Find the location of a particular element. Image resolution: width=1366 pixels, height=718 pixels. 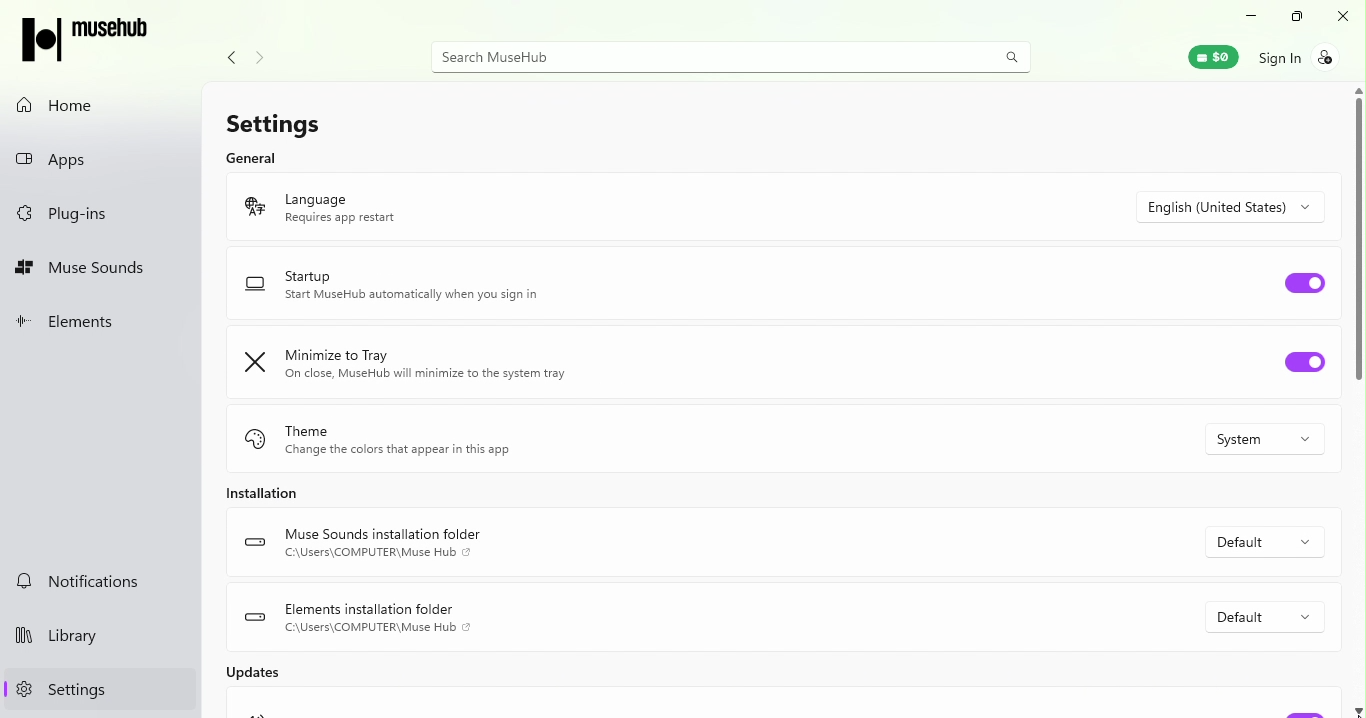

Drop down is located at coordinates (1234, 208).